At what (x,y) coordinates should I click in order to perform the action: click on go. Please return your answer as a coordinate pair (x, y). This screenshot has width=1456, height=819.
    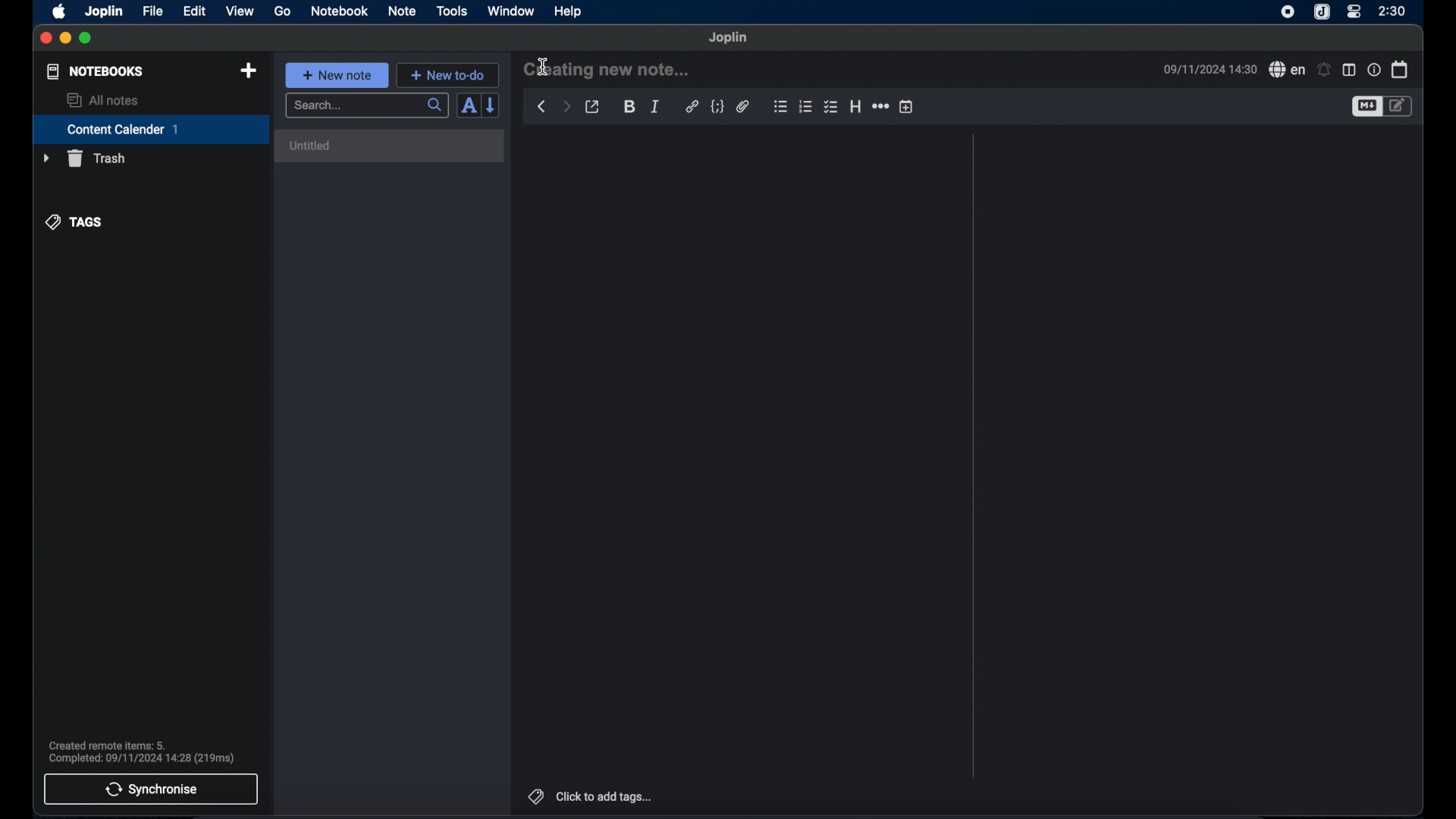
    Looking at the image, I should click on (284, 11).